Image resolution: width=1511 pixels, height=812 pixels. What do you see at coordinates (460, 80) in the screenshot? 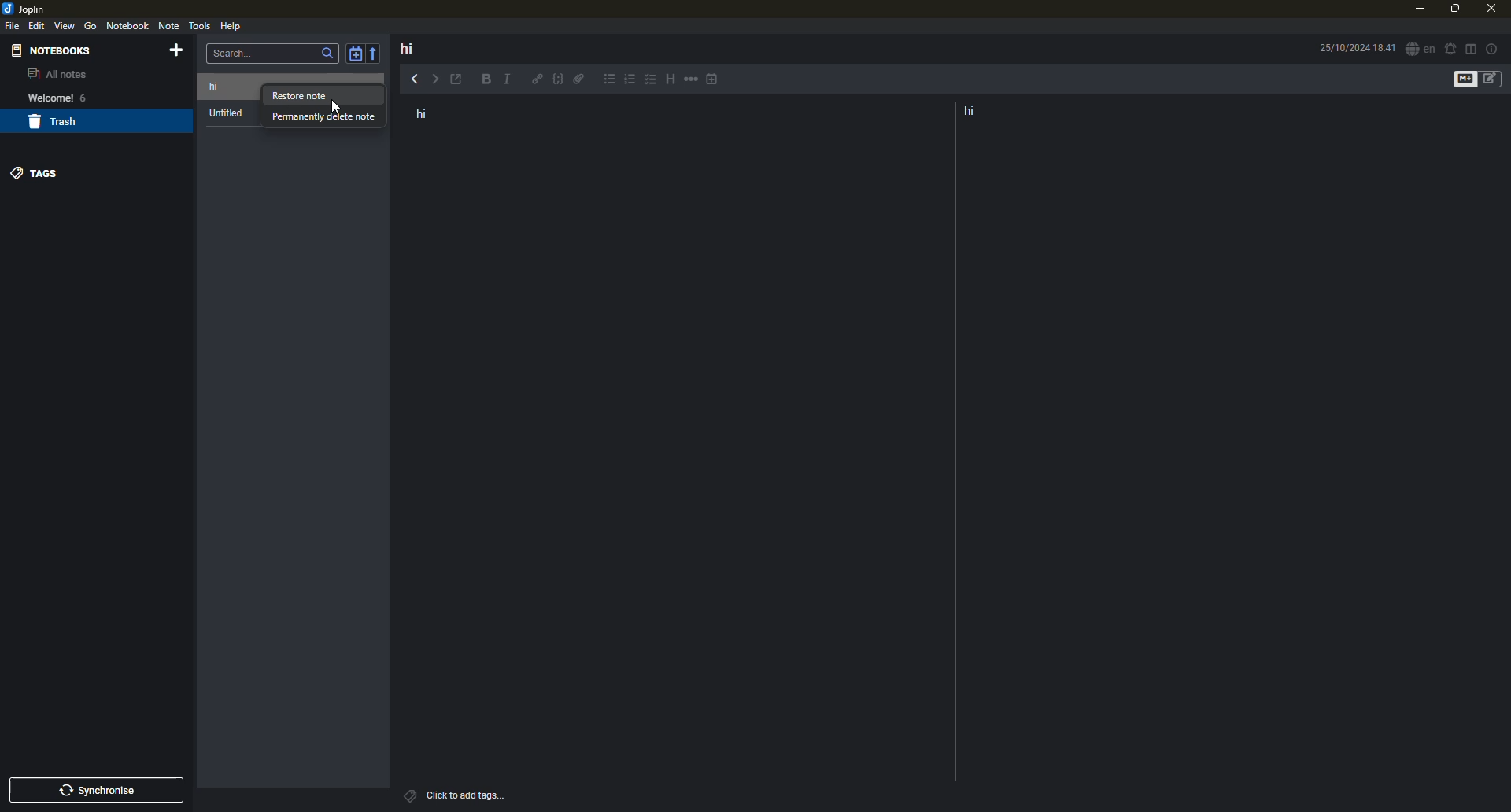
I see `toggle external editing` at bounding box center [460, 80].